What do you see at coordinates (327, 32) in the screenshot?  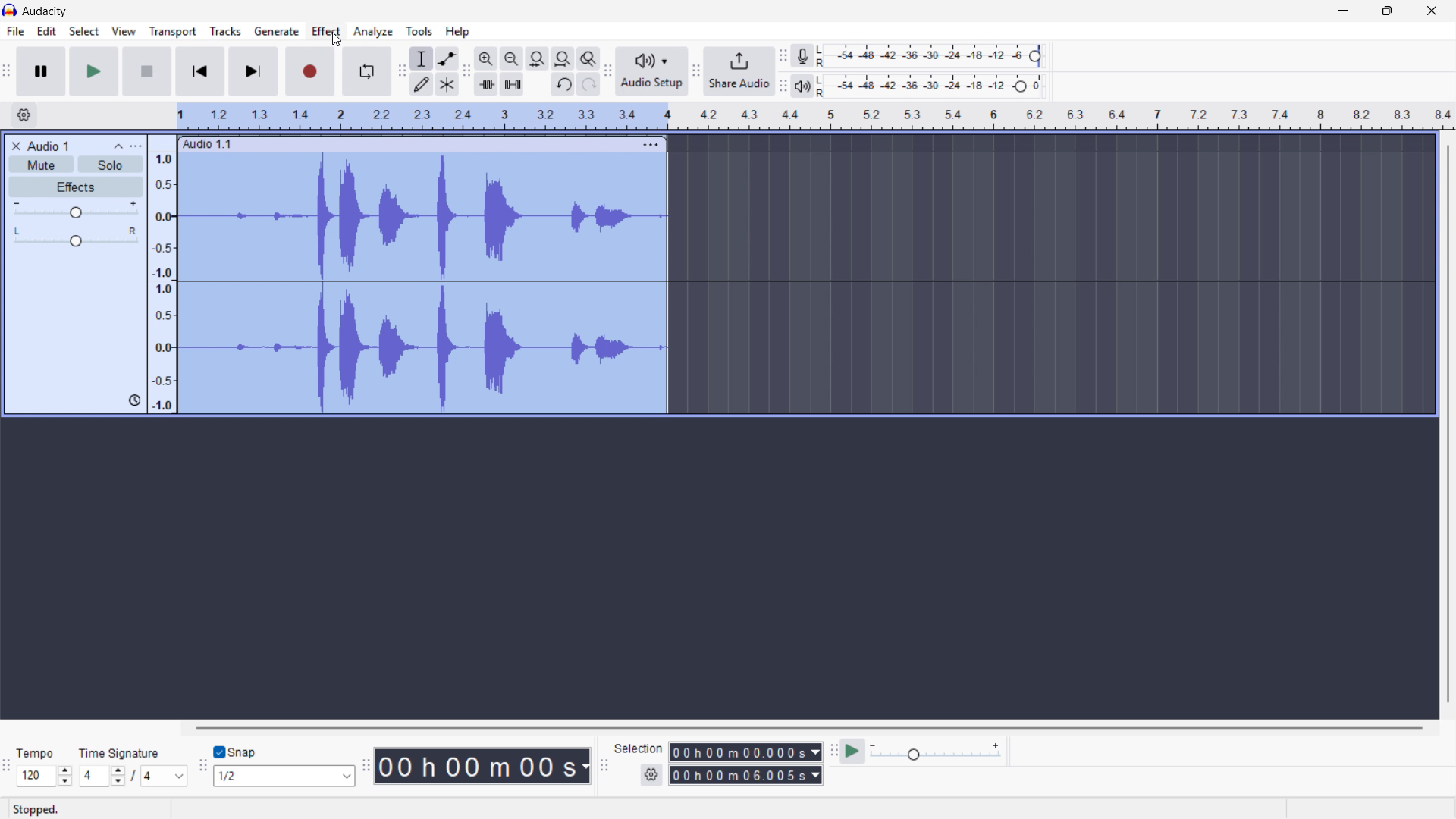 I see `Effect` at bounding box center [327, 32].